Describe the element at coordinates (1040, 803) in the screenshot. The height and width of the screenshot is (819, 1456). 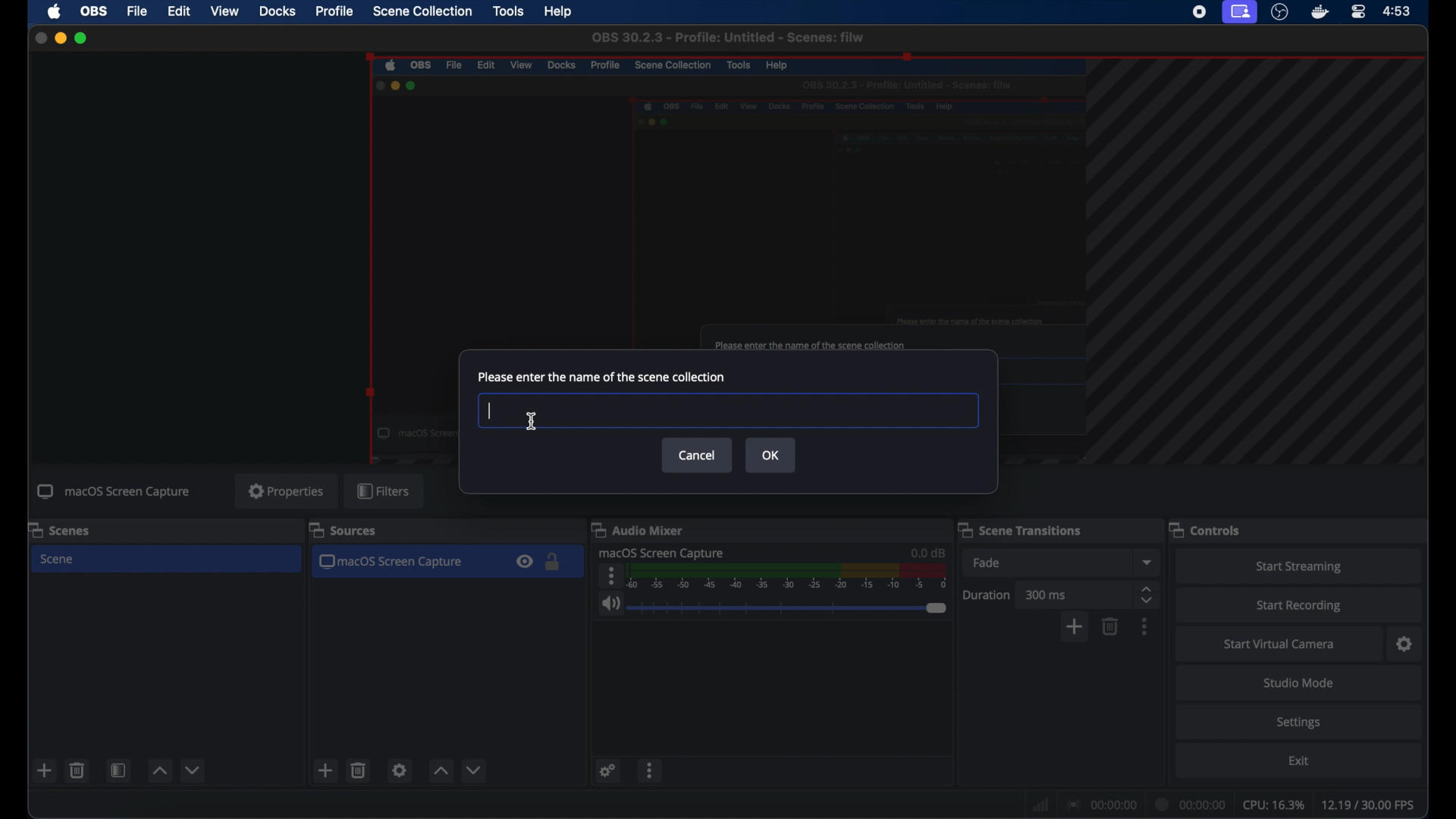
I see `network` at that location.